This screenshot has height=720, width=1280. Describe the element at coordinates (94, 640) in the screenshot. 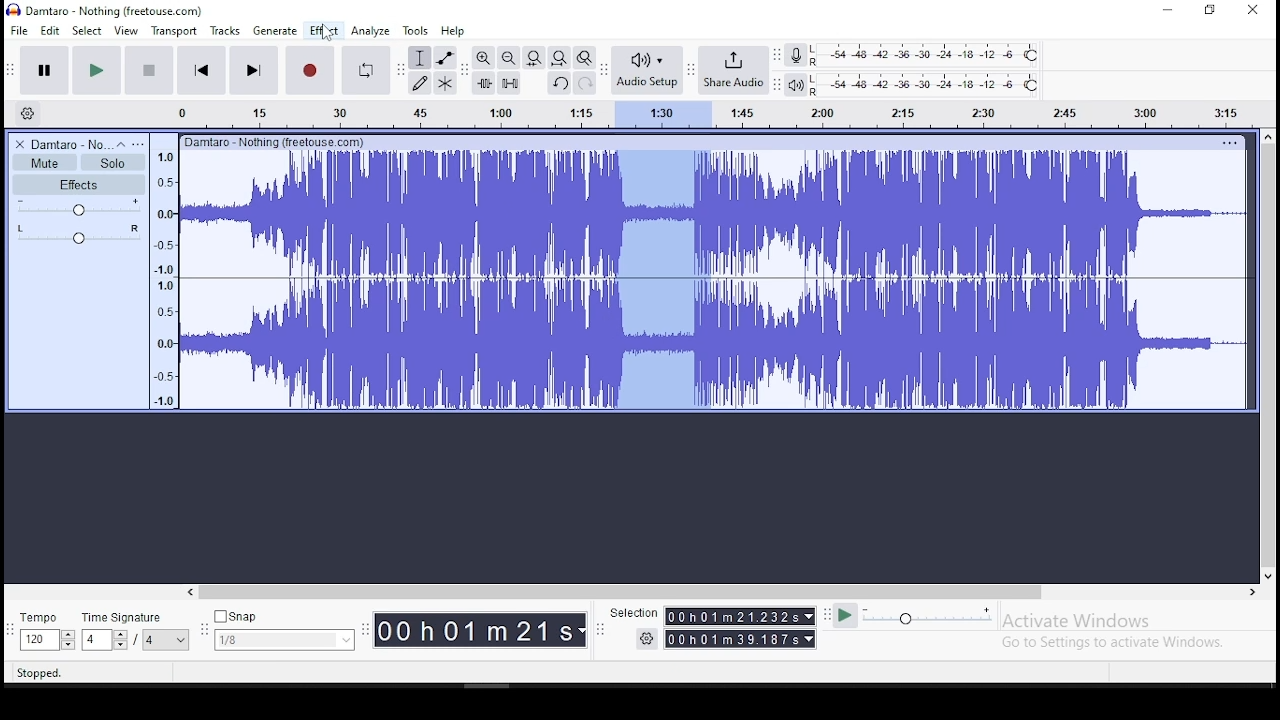

I see `4` at that location.